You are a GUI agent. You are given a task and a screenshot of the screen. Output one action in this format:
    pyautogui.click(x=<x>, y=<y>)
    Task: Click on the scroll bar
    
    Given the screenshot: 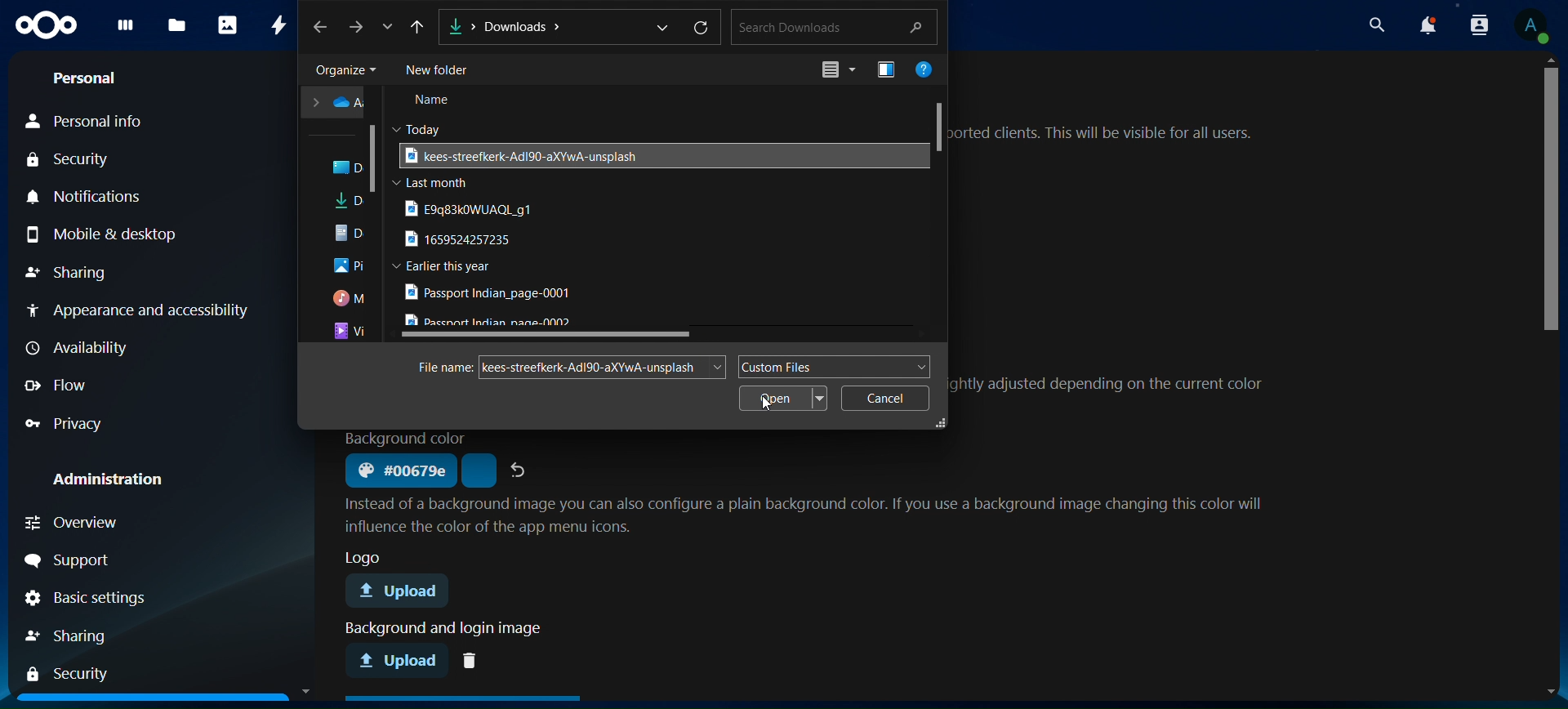 What is the action you would take?
    pyautogui.click(x=376, y=158)
    